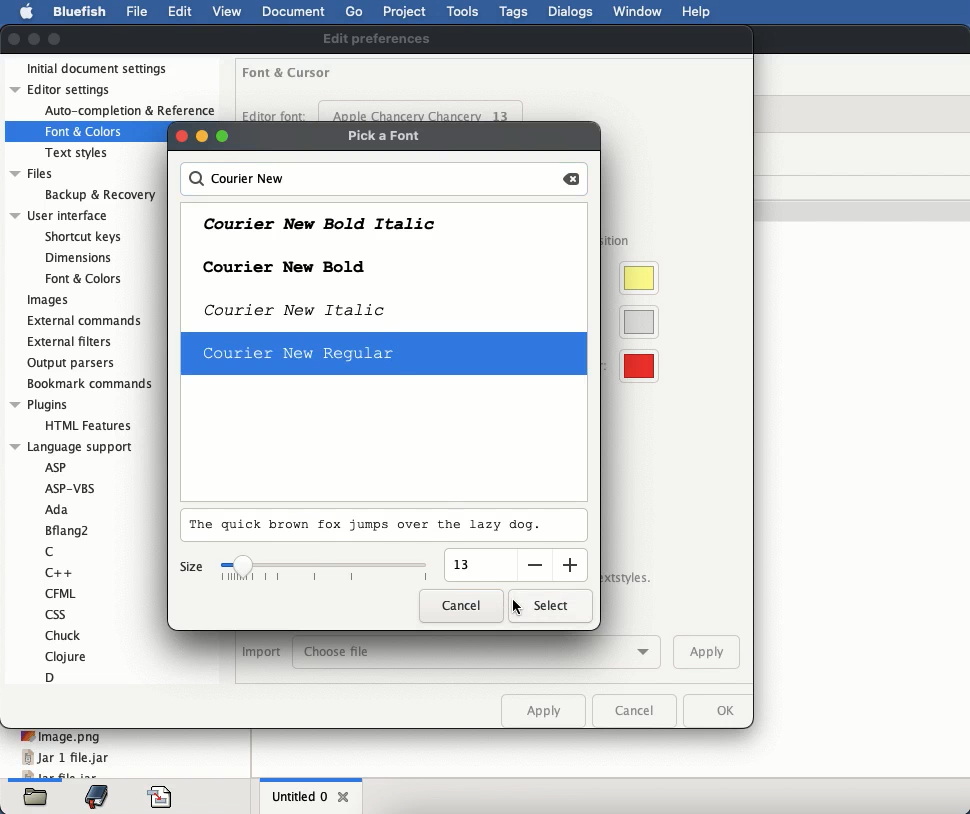 This screenshot has height=814, width=970. Describe the element at coordinates (382, 527) in the screenshot. I see `preview` at that location.